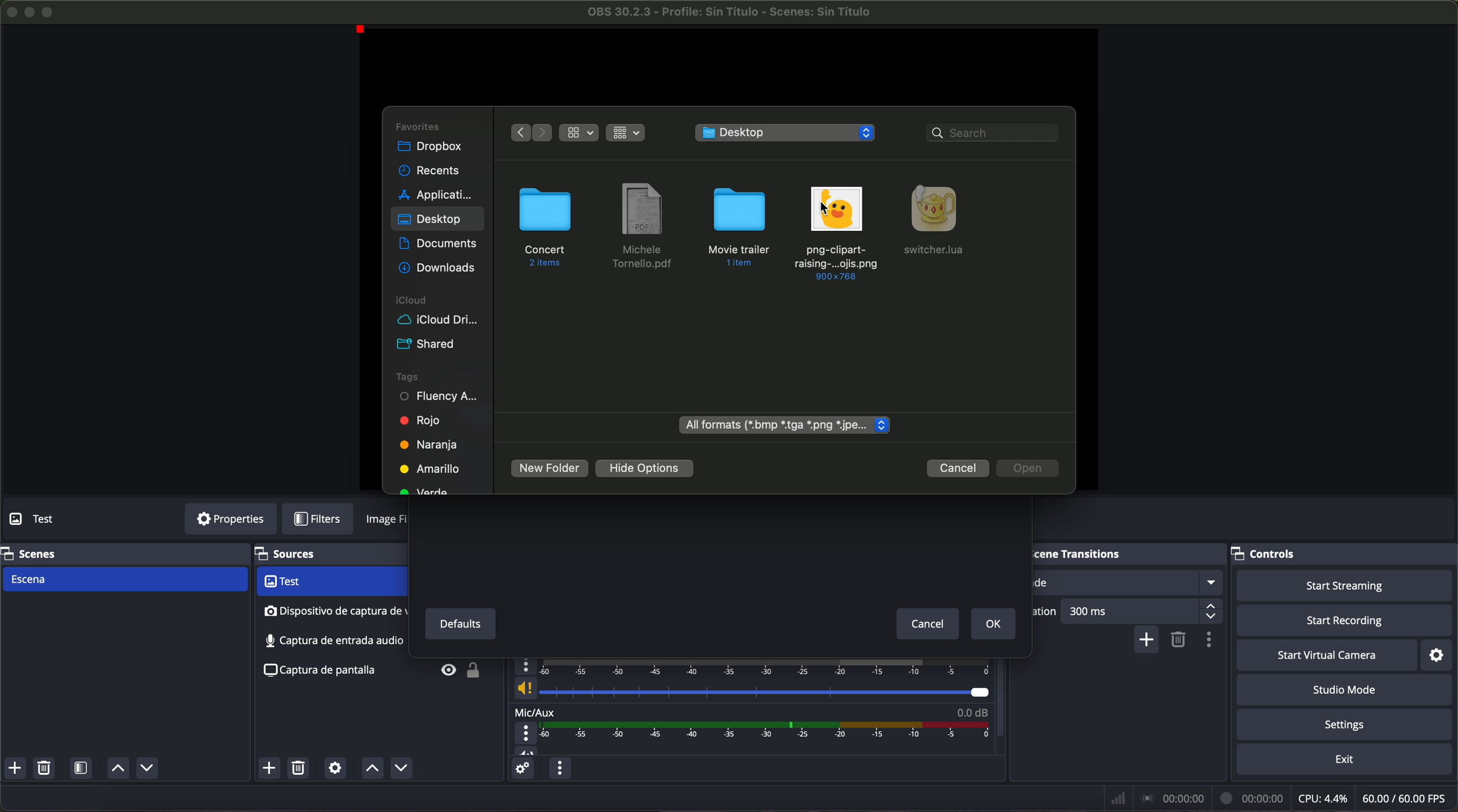 The width and height of the screenshot is (1458, 812). Describe the element at coordinates (331, 641) in the screenshot. I see `screenshot` at that location.